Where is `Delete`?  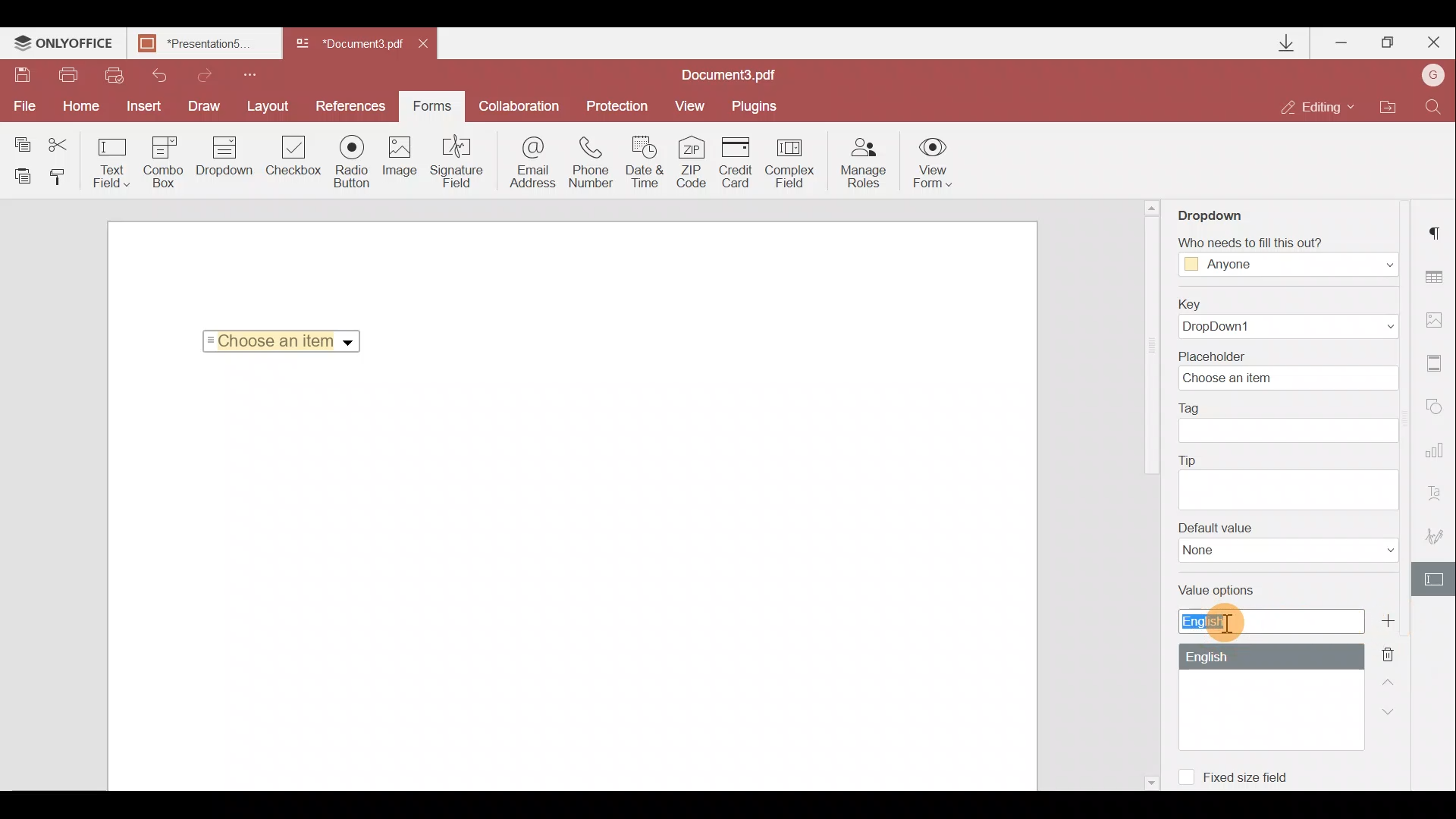
Delete is located at coordinates (1397, 653).